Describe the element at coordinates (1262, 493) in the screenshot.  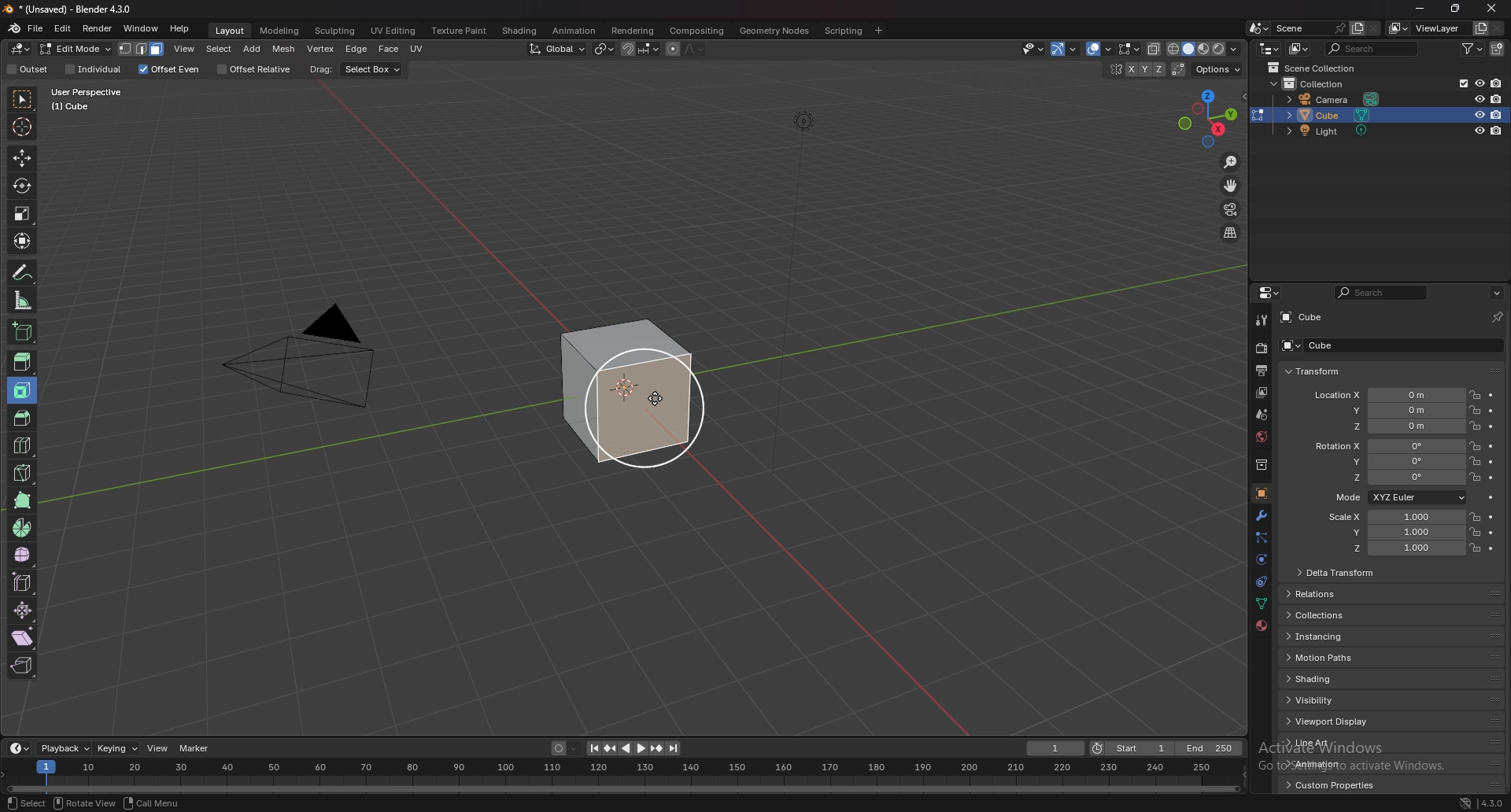
I see `object` at that location.